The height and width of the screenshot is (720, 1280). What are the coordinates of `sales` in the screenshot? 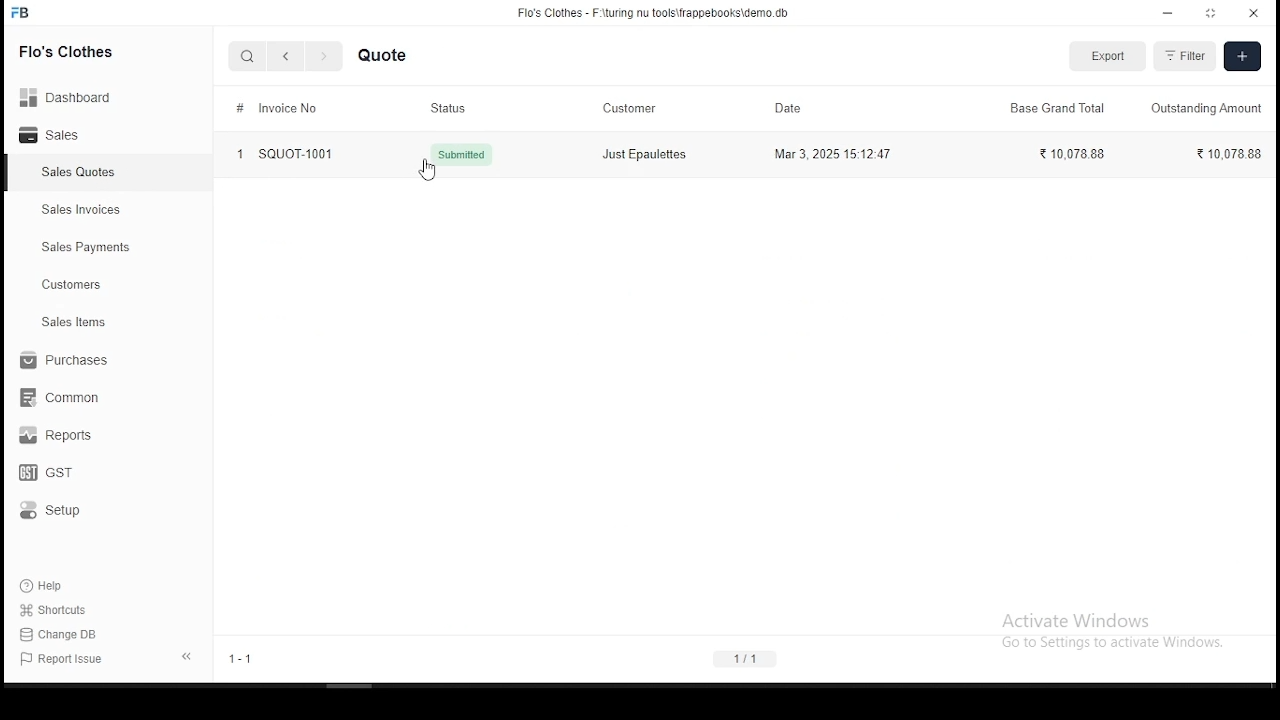 It's located at (75, 172).